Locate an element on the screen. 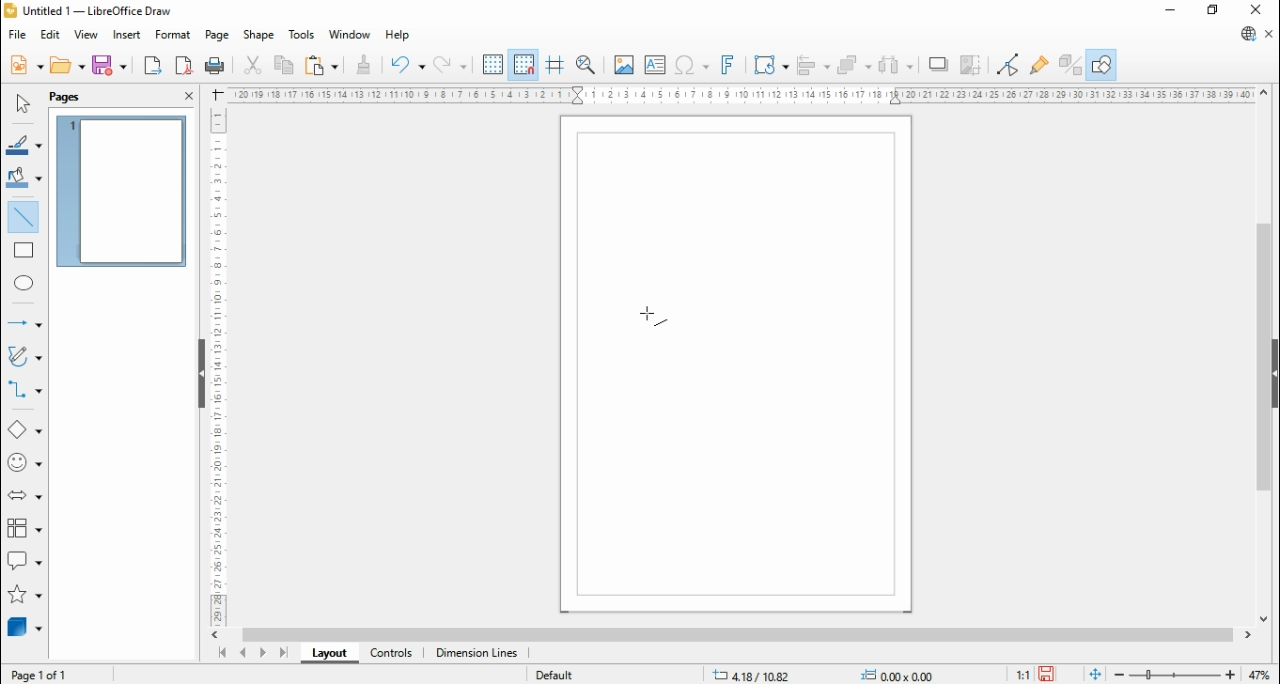 The height and width of the screenshot is (684, 1280). 0.00x0.00 is located at coordinates (900, 675).